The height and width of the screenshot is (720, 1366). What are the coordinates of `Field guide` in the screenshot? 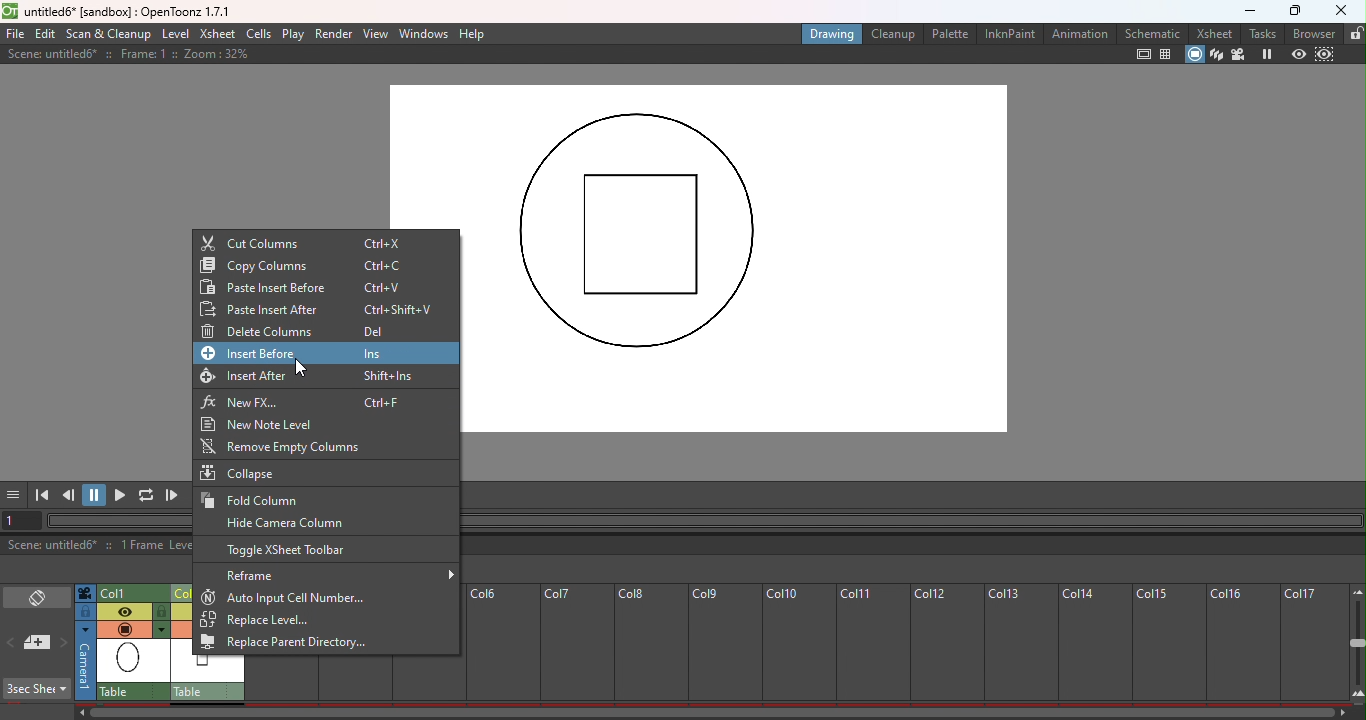 It's located at (1166, 56).